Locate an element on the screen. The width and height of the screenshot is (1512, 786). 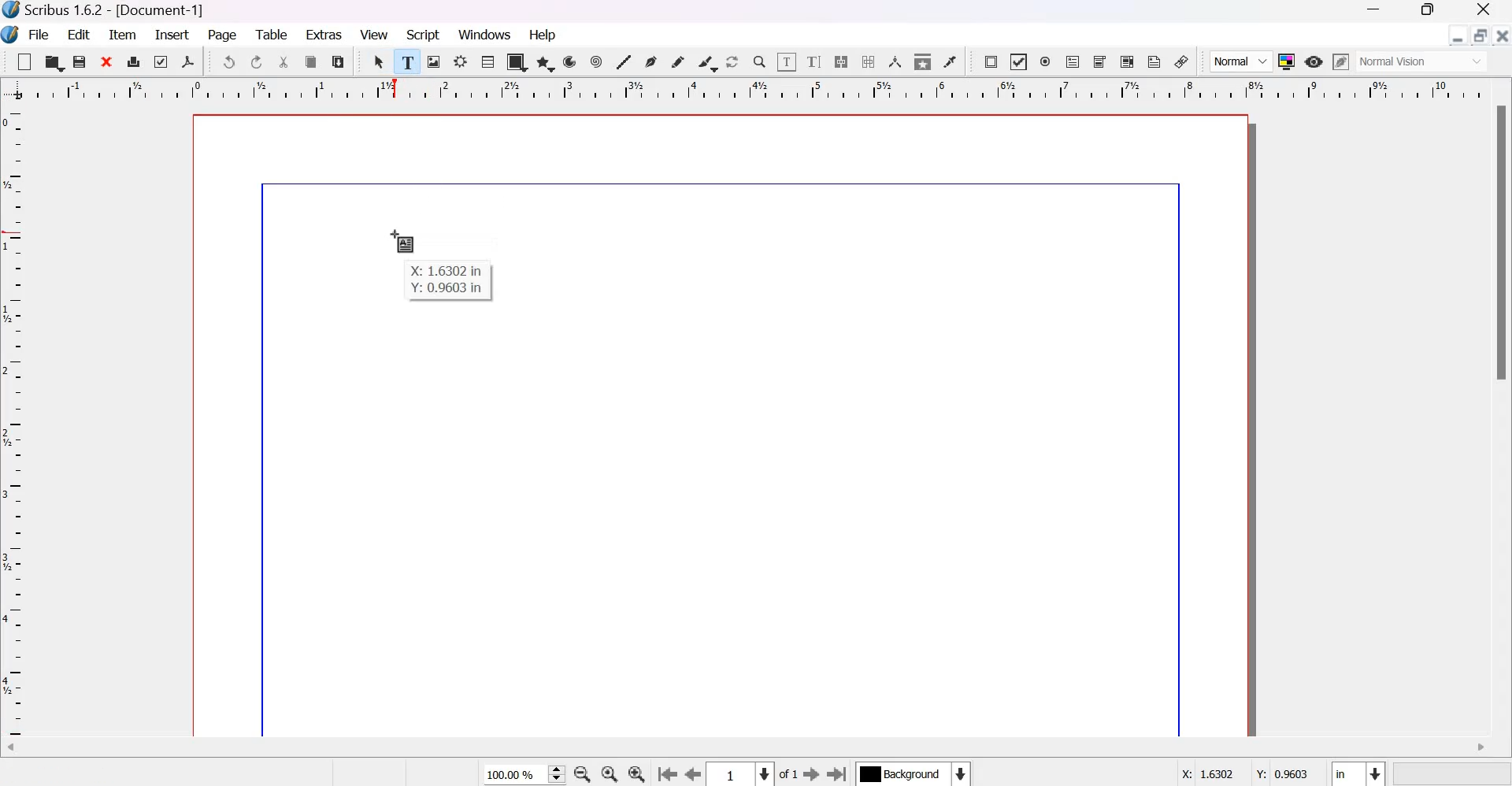
close is located at coordinates (1501, 35).